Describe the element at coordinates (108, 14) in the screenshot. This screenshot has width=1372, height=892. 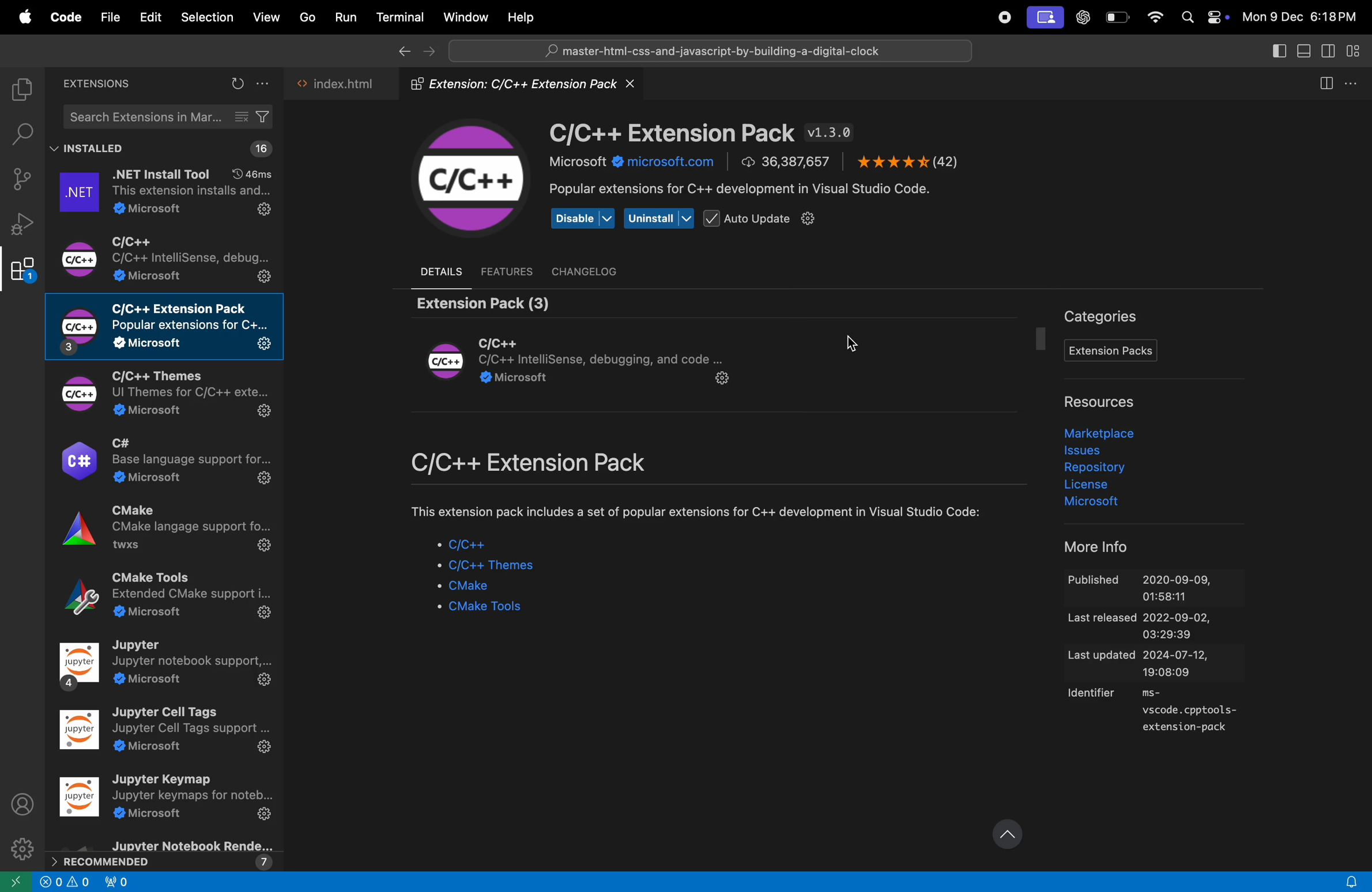
I see `file` at that location.